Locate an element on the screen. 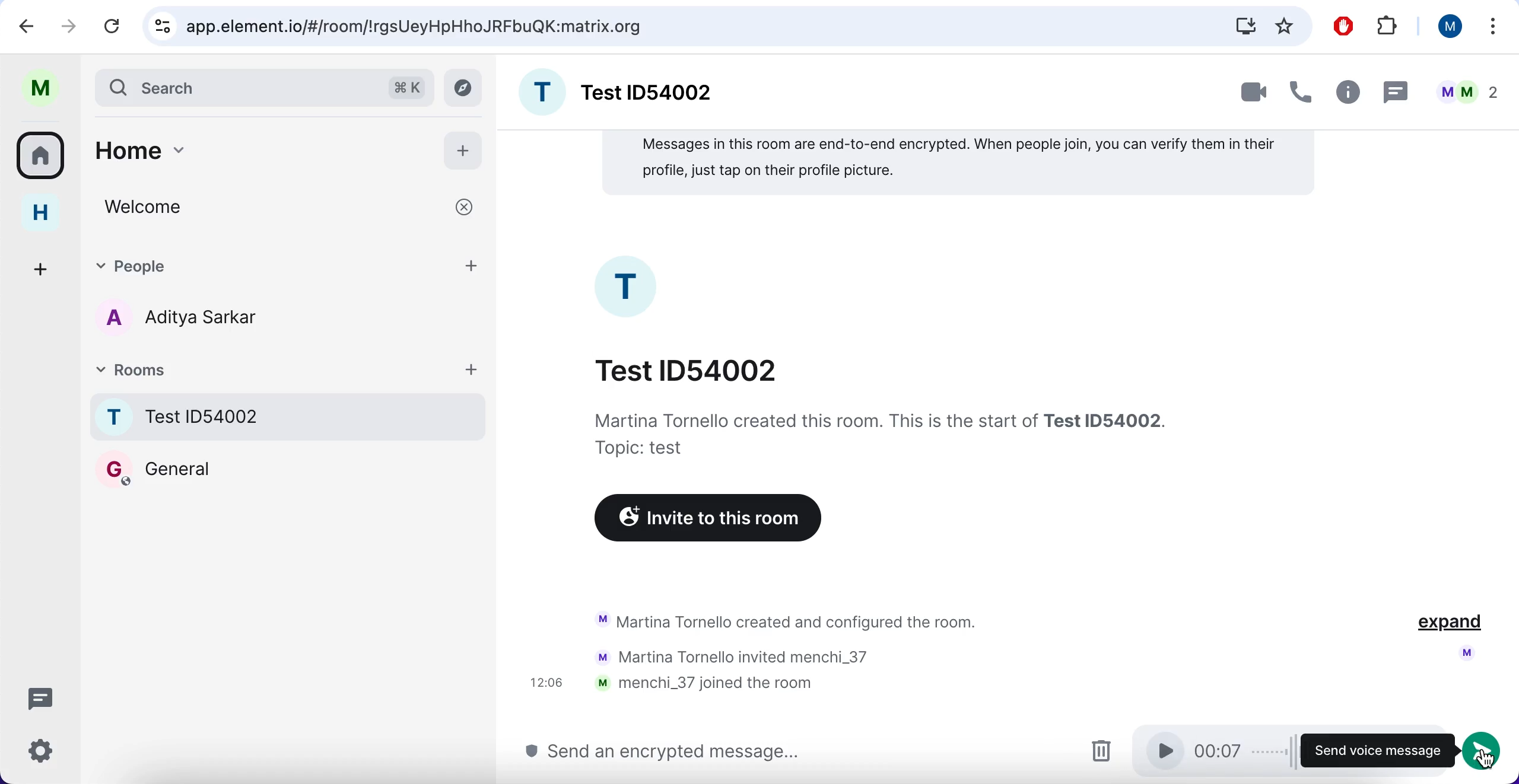 This screenshot has width=1519, height=784. home is located at coordinates (256, 149).